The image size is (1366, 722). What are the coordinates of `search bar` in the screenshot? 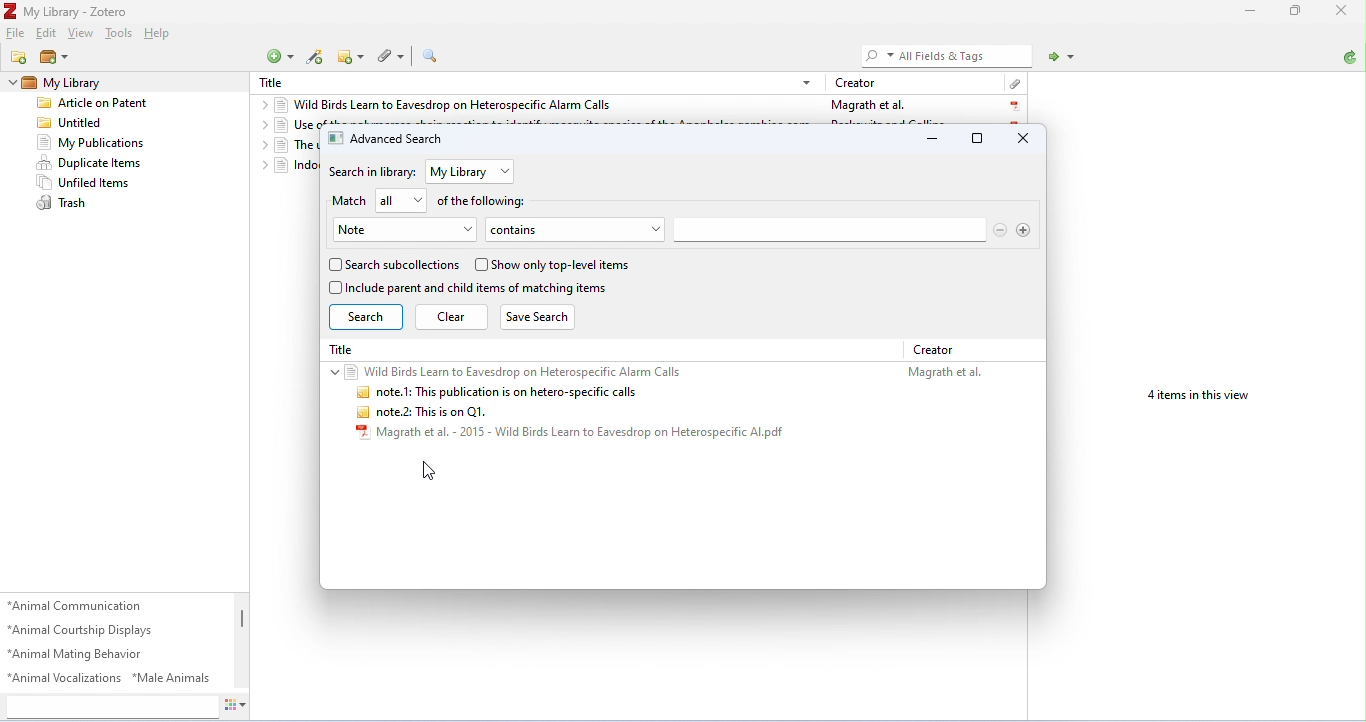 It's located at (829, 230).